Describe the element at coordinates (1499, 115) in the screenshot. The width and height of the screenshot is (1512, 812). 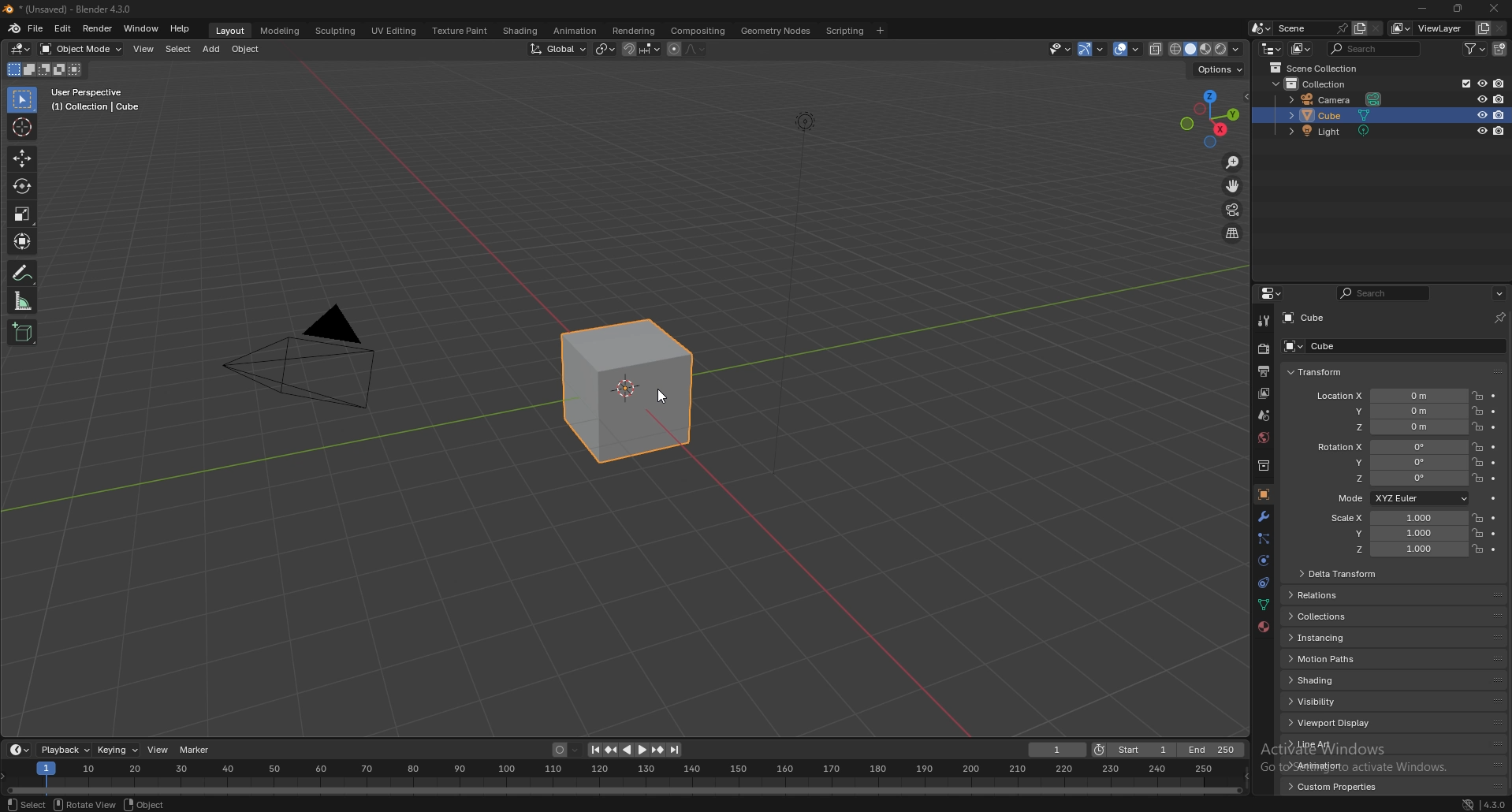
I see `disable in renders` at that location.